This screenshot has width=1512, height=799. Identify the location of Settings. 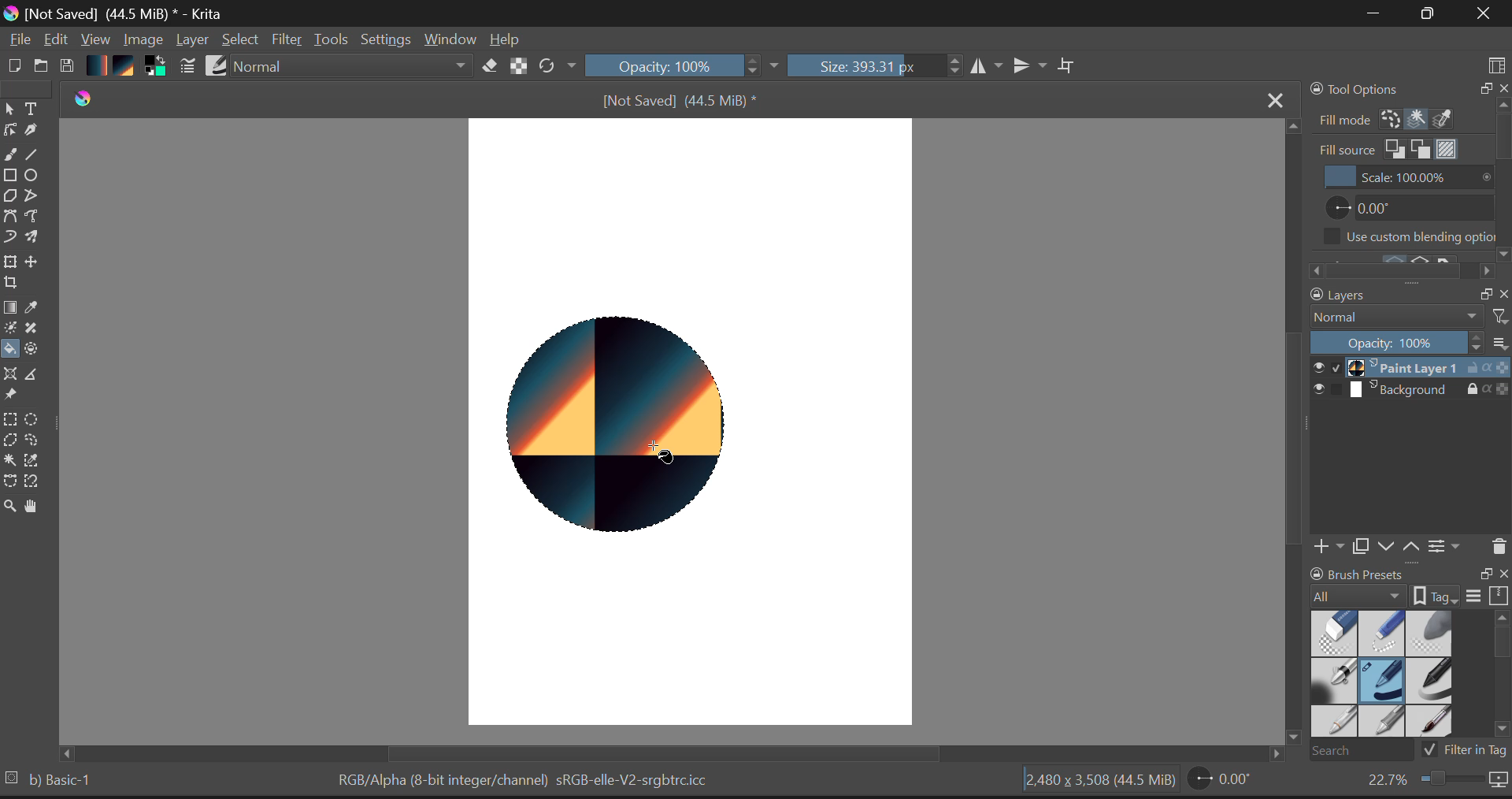
(387, 40).